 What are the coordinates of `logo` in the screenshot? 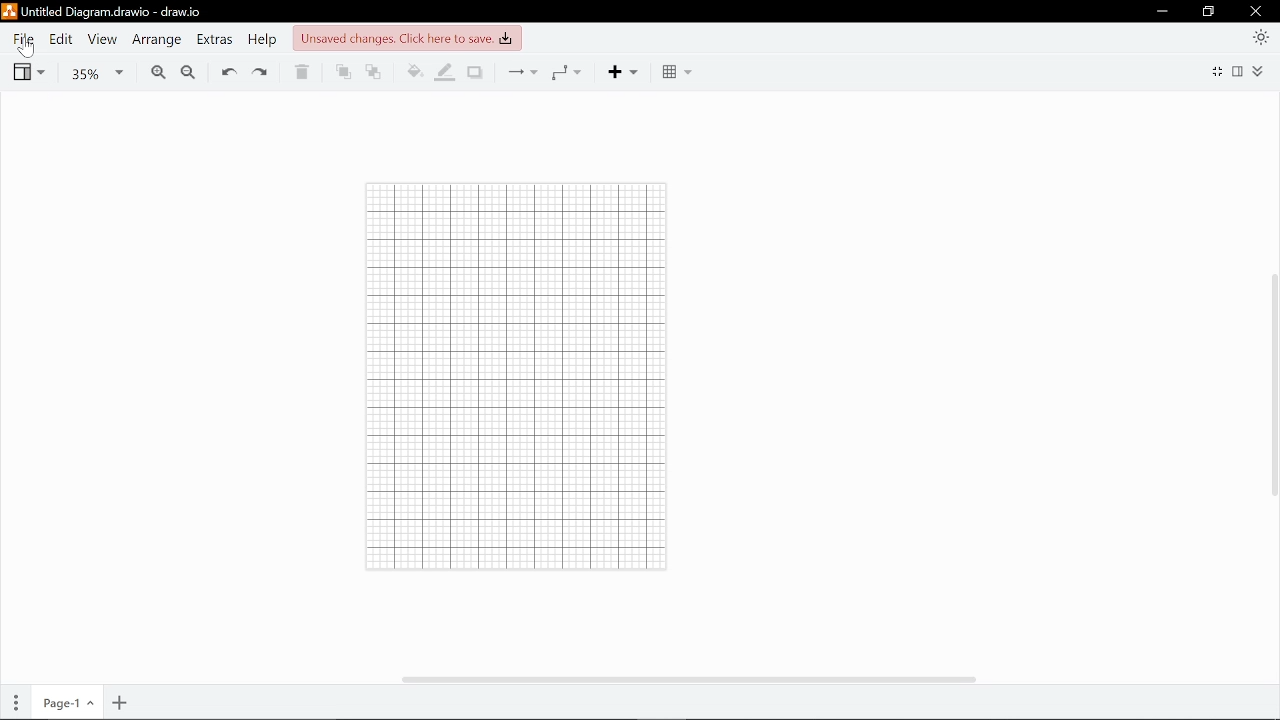 It's located at (10, 13).